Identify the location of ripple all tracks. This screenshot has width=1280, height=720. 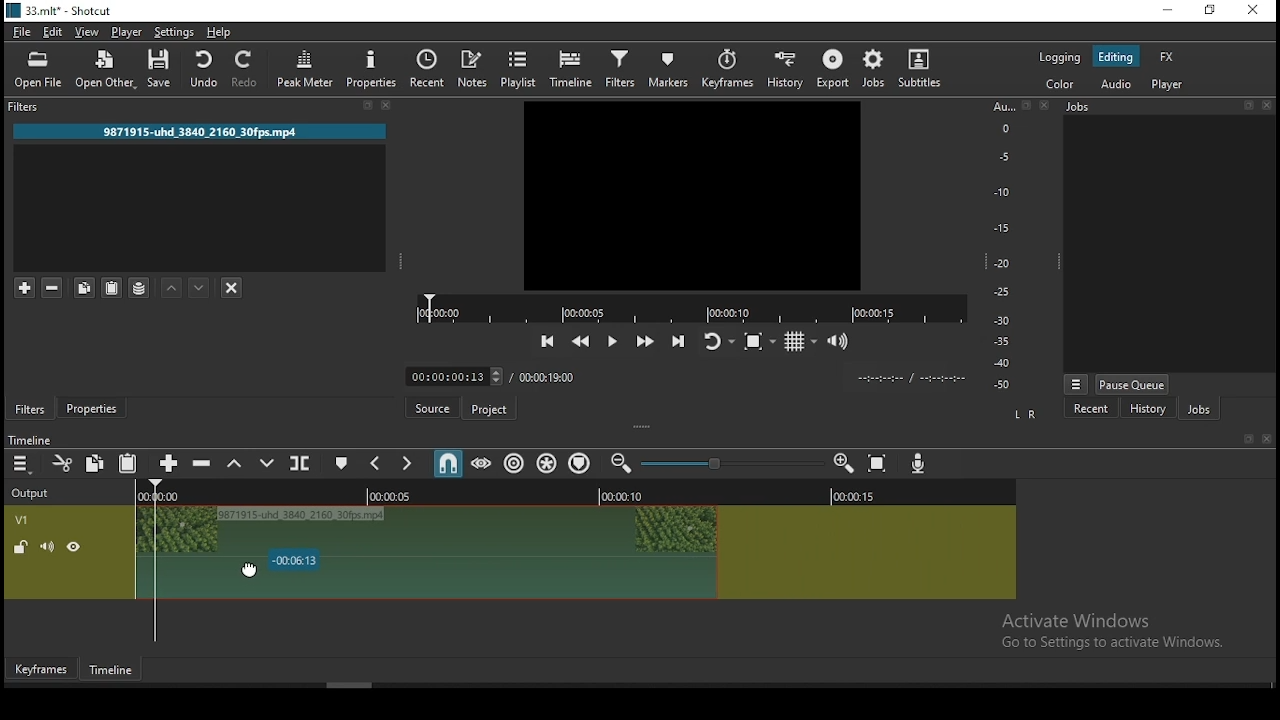
(550, 462).